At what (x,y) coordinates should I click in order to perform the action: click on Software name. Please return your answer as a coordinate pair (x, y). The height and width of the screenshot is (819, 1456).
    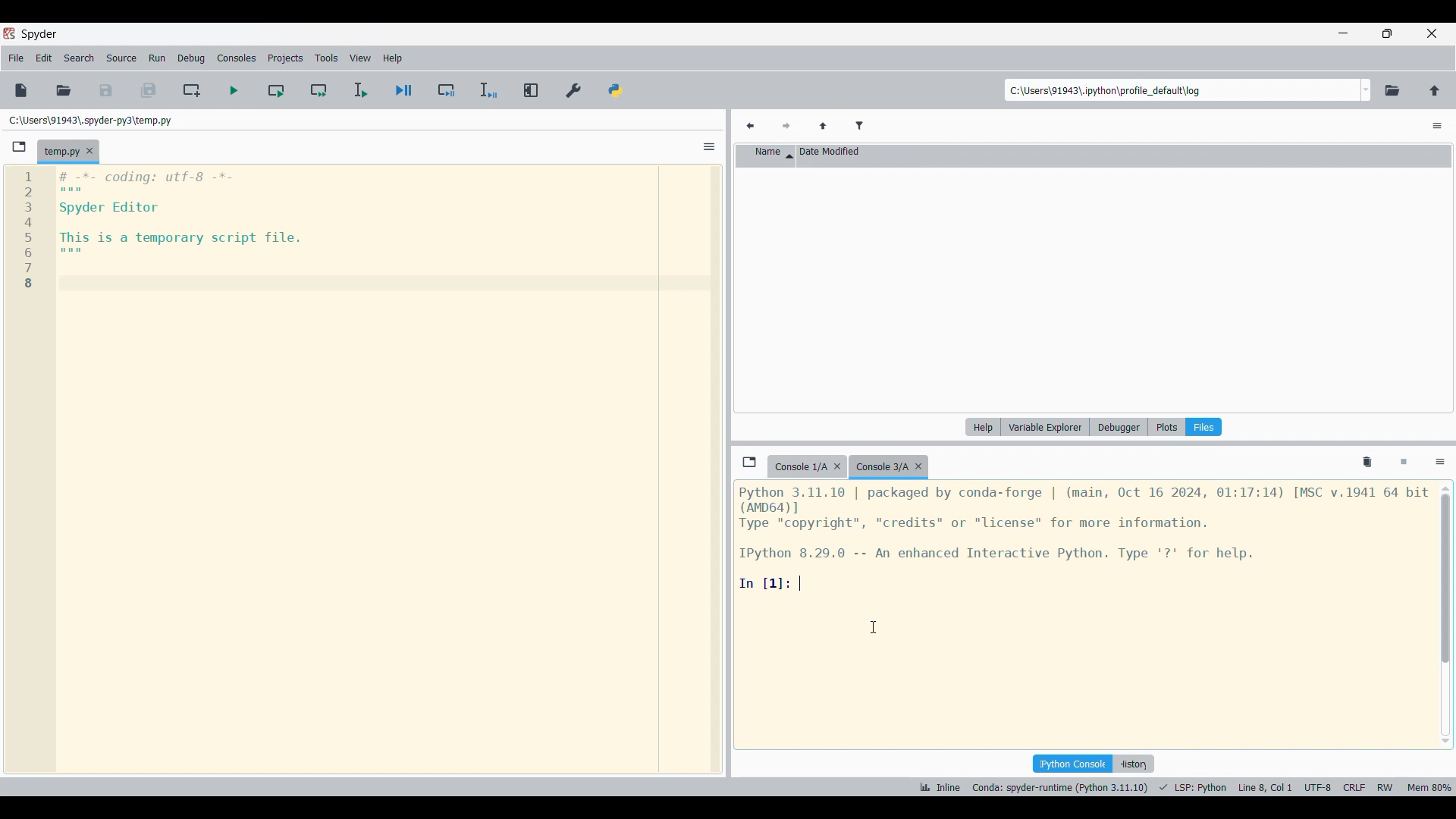
    Looking at the image, I should click on (40, 35).